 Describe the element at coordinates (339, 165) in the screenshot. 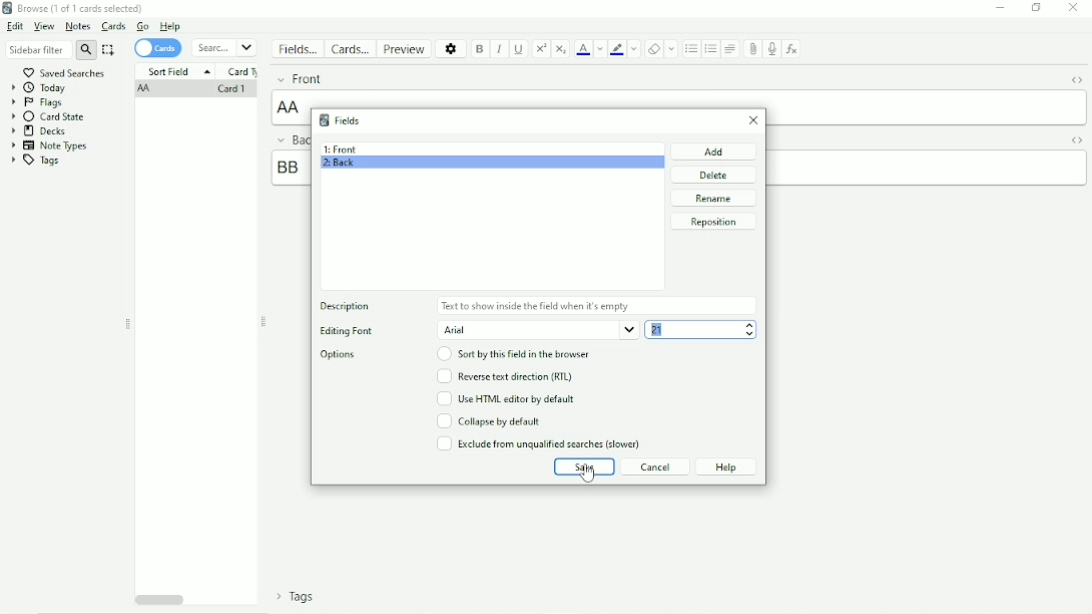

I see `2: Back` at that location.